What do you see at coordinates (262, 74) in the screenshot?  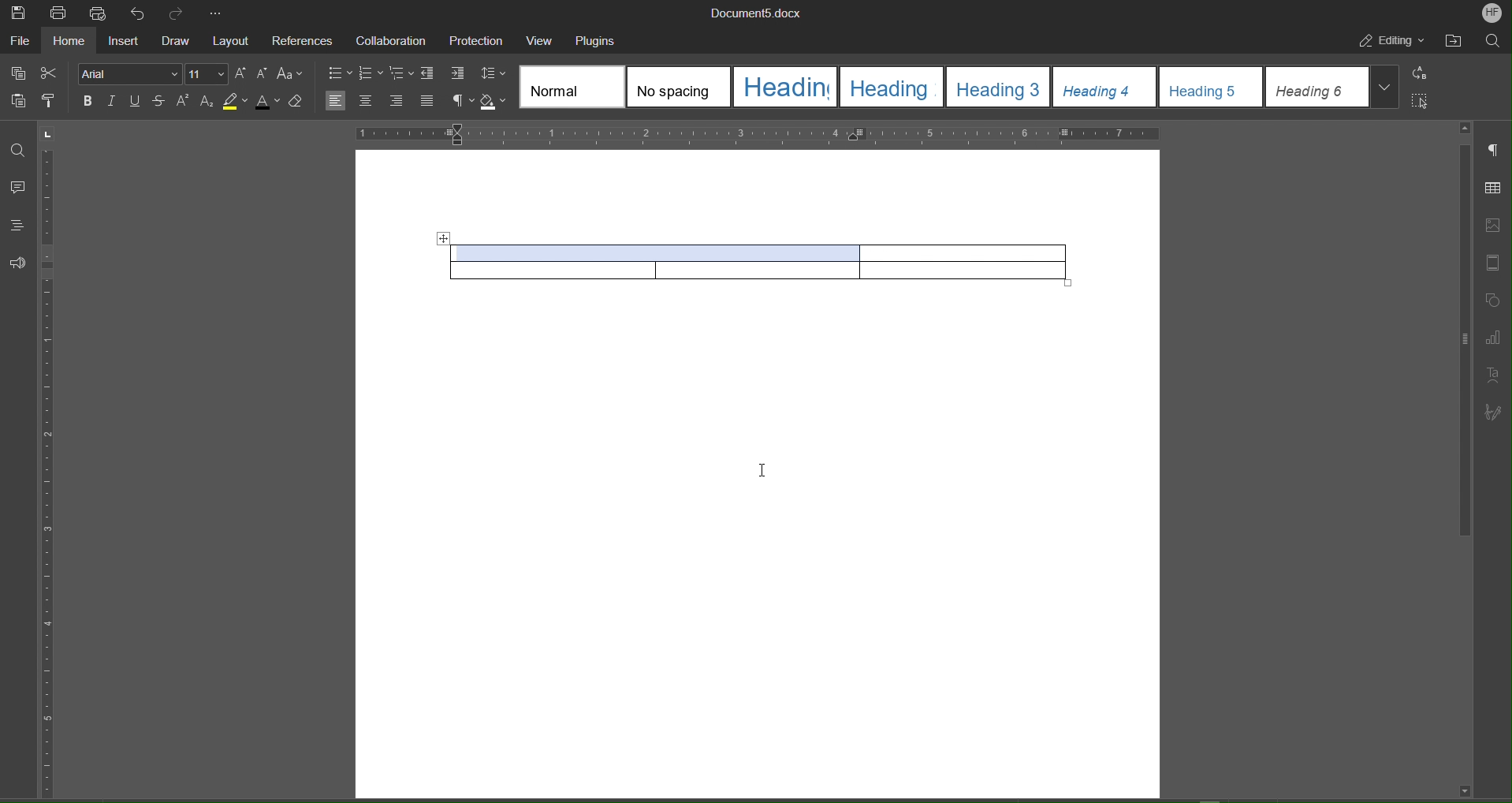 I see `Decrease Size` at bounding box center [262, 74].